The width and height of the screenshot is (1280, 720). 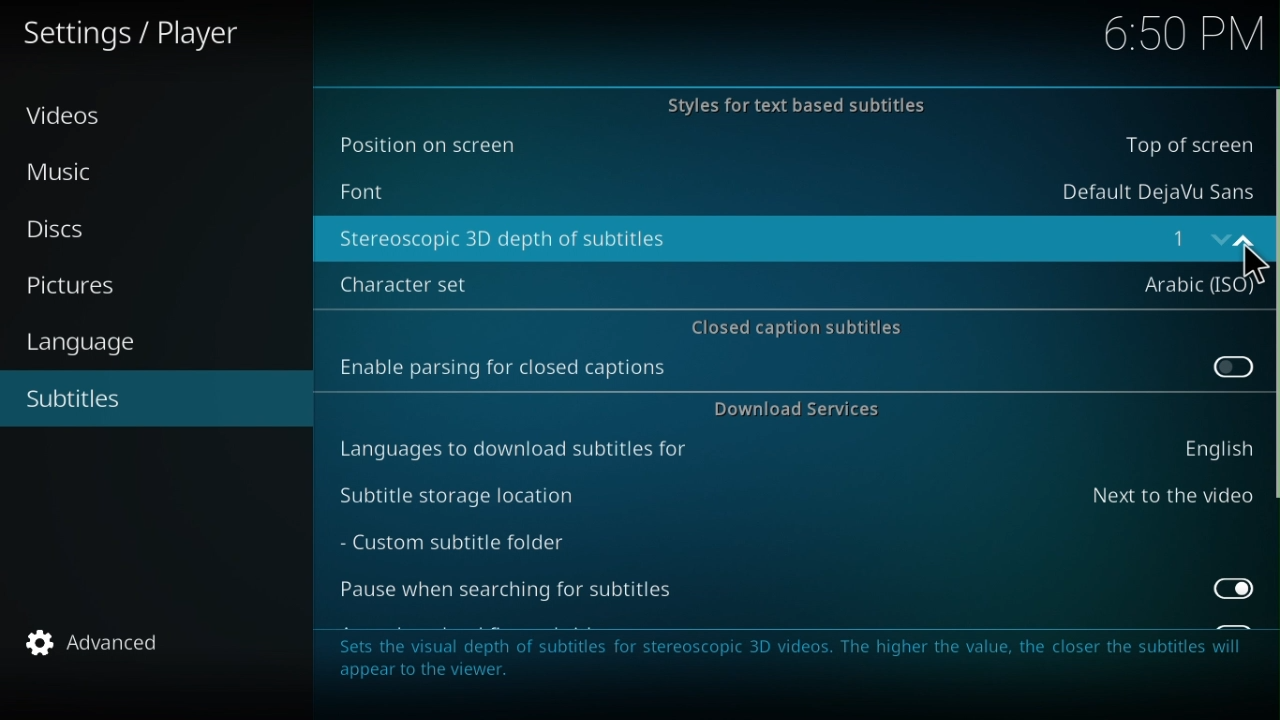 What do you see at coordinates (64, 226) in the screenshot?
I see `Disc` at bounding box center [64, 226].